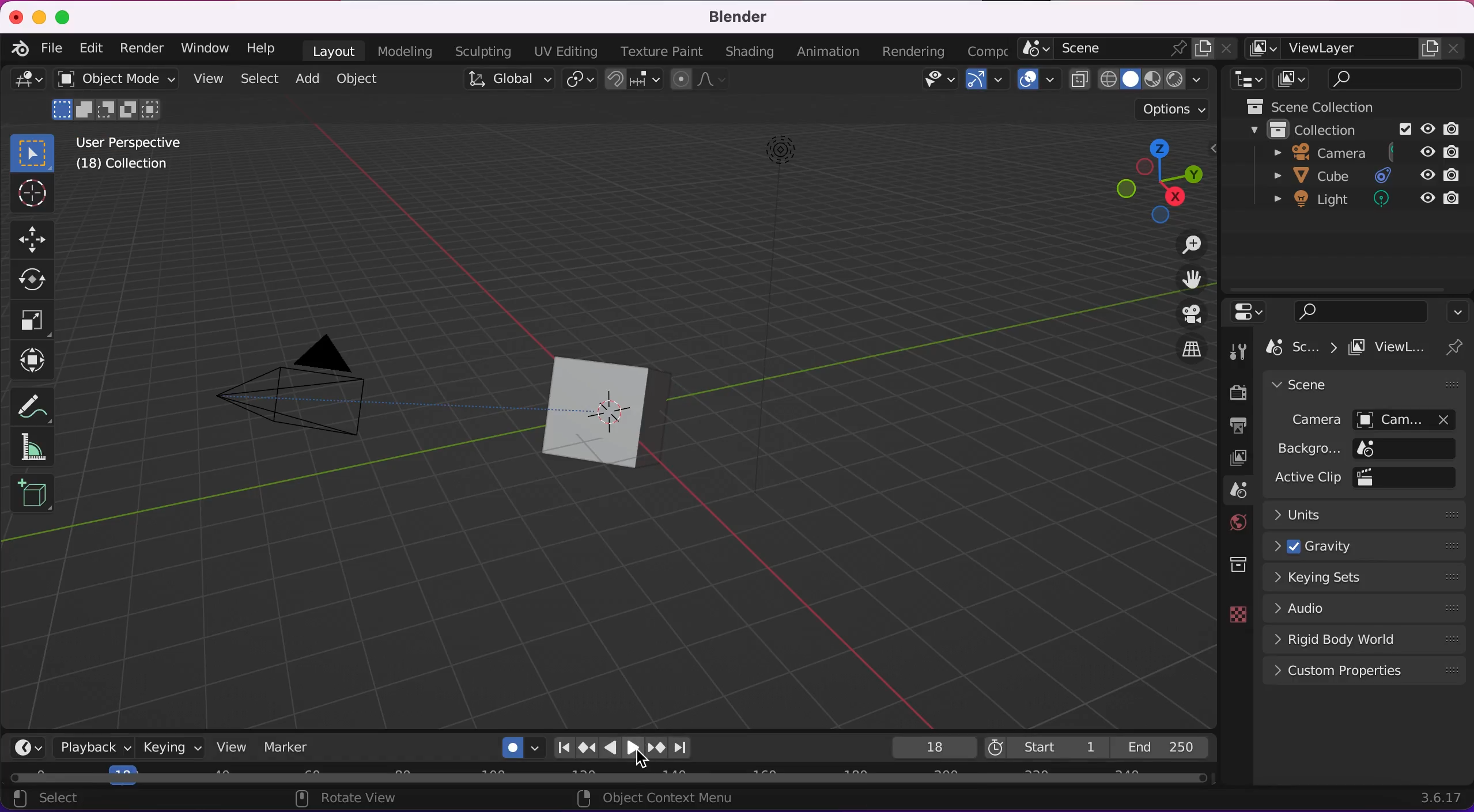 The height and width of the screenshot is (812, 1474). I want to click on select box, so click(35, 153).